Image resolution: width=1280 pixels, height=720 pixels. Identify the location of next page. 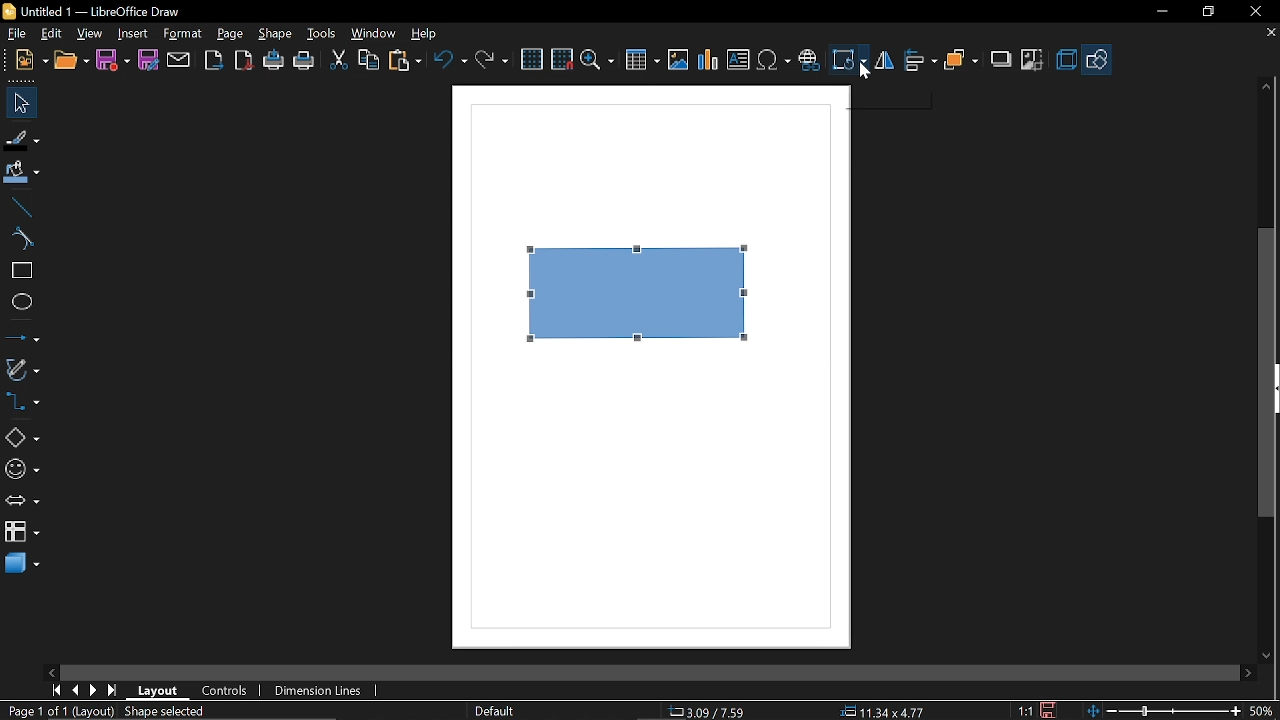
(94, 691).